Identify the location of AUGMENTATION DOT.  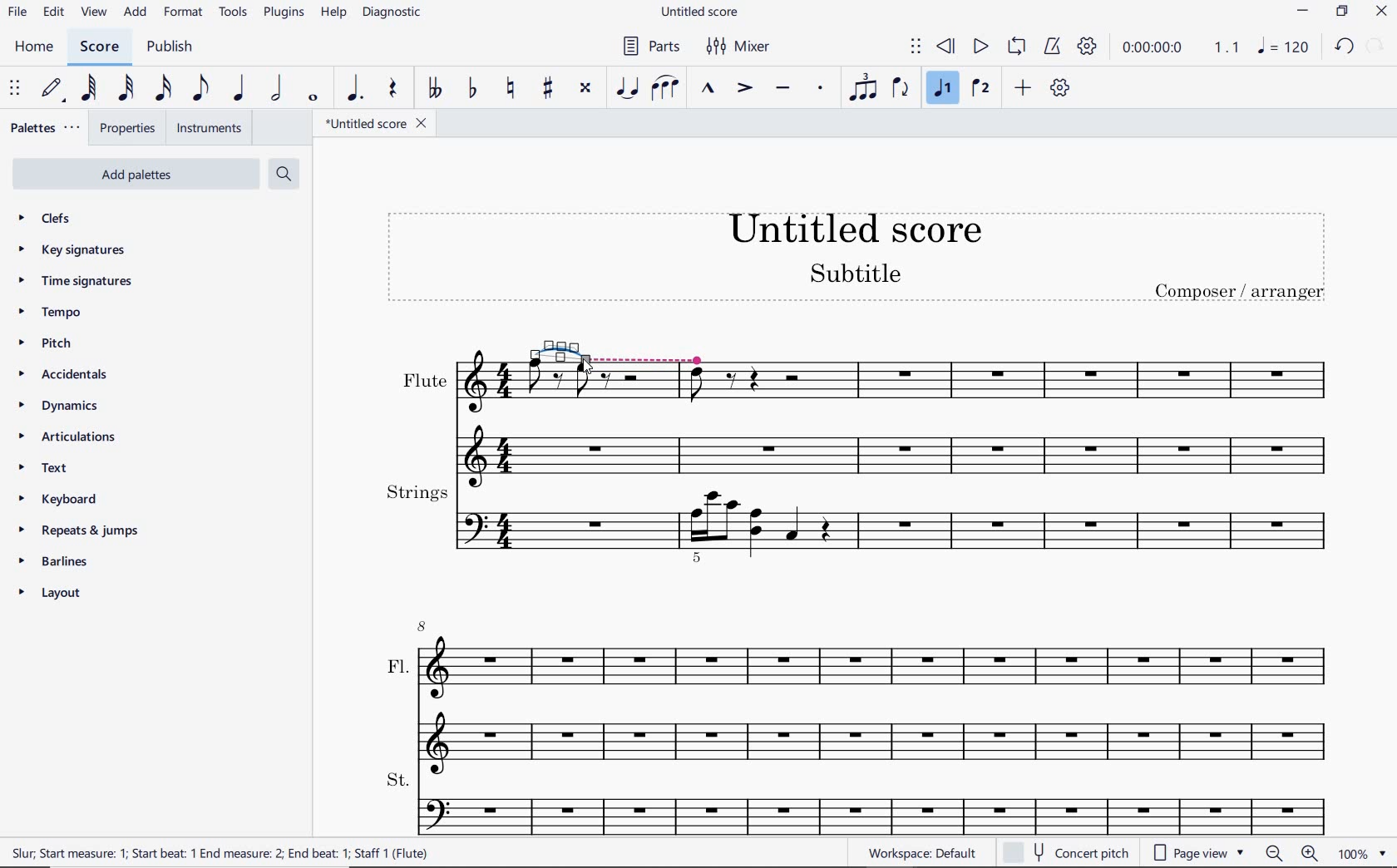
(355, 89).